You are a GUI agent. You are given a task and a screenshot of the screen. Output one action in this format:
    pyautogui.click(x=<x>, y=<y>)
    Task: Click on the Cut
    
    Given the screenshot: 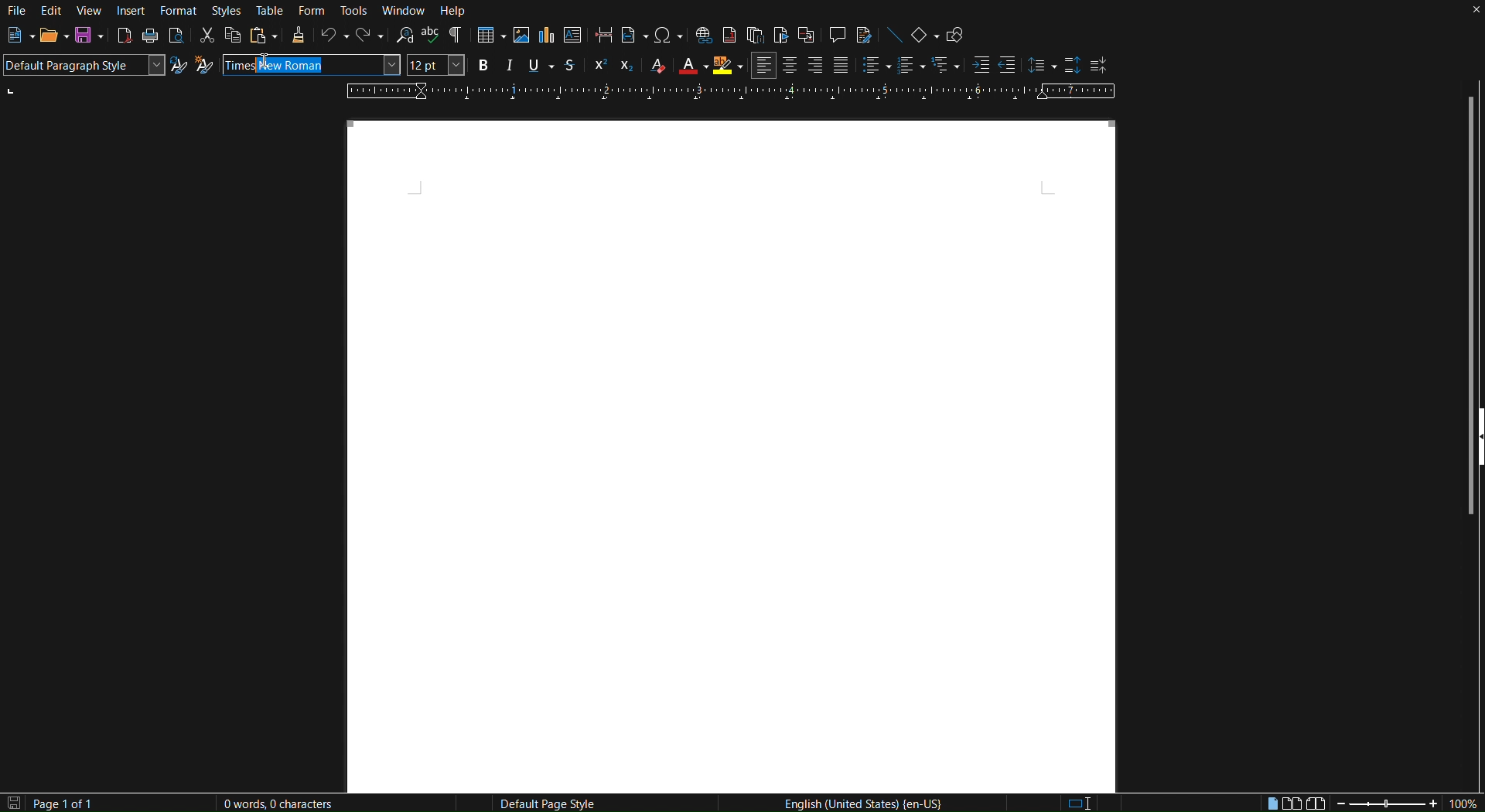 What is the action you would take?
    pyautogui.click(x=205, y=37)
    